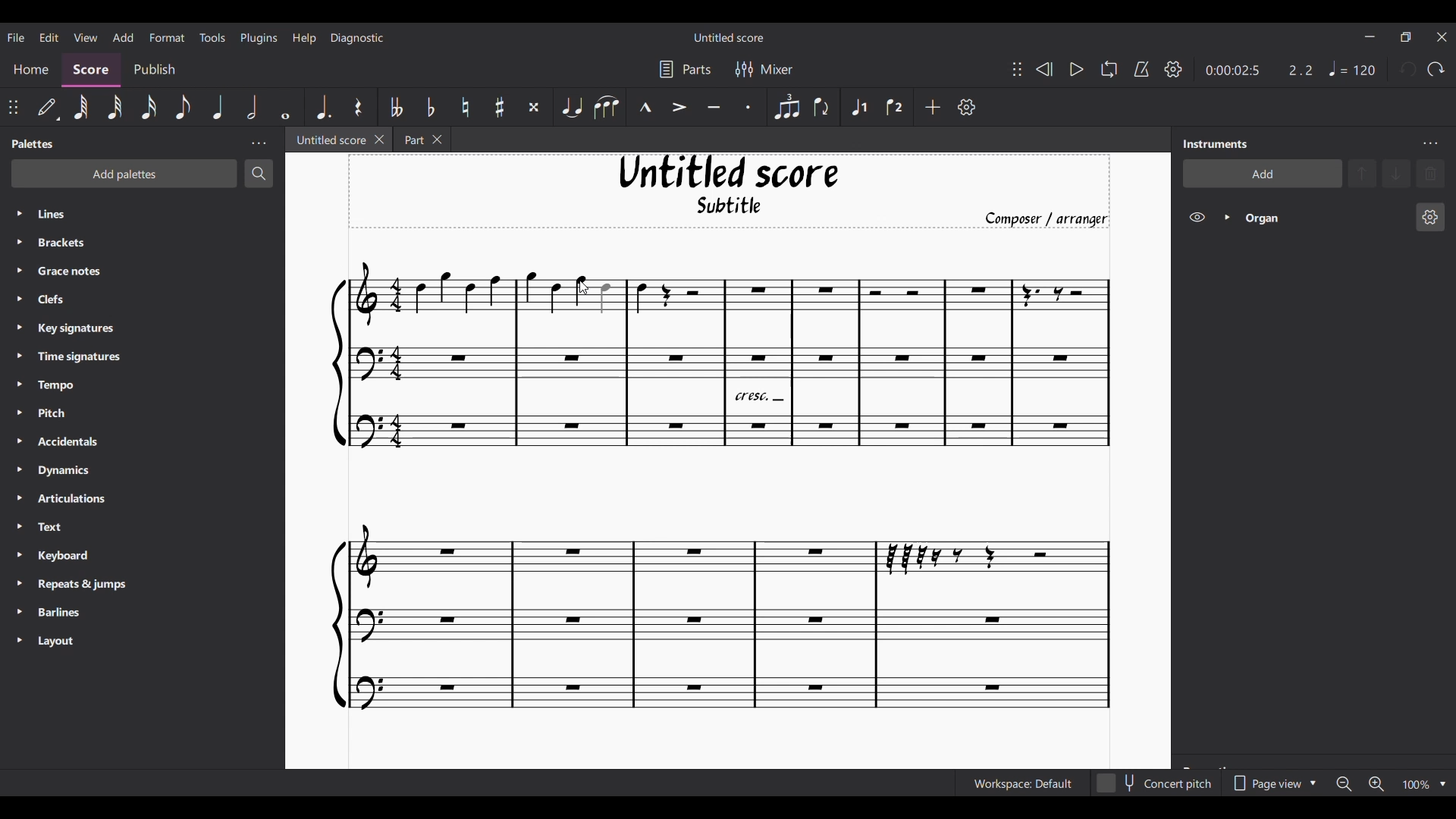 This screenshot has width=1456, height=819. I want to click on 8th note, so click(183, 106).